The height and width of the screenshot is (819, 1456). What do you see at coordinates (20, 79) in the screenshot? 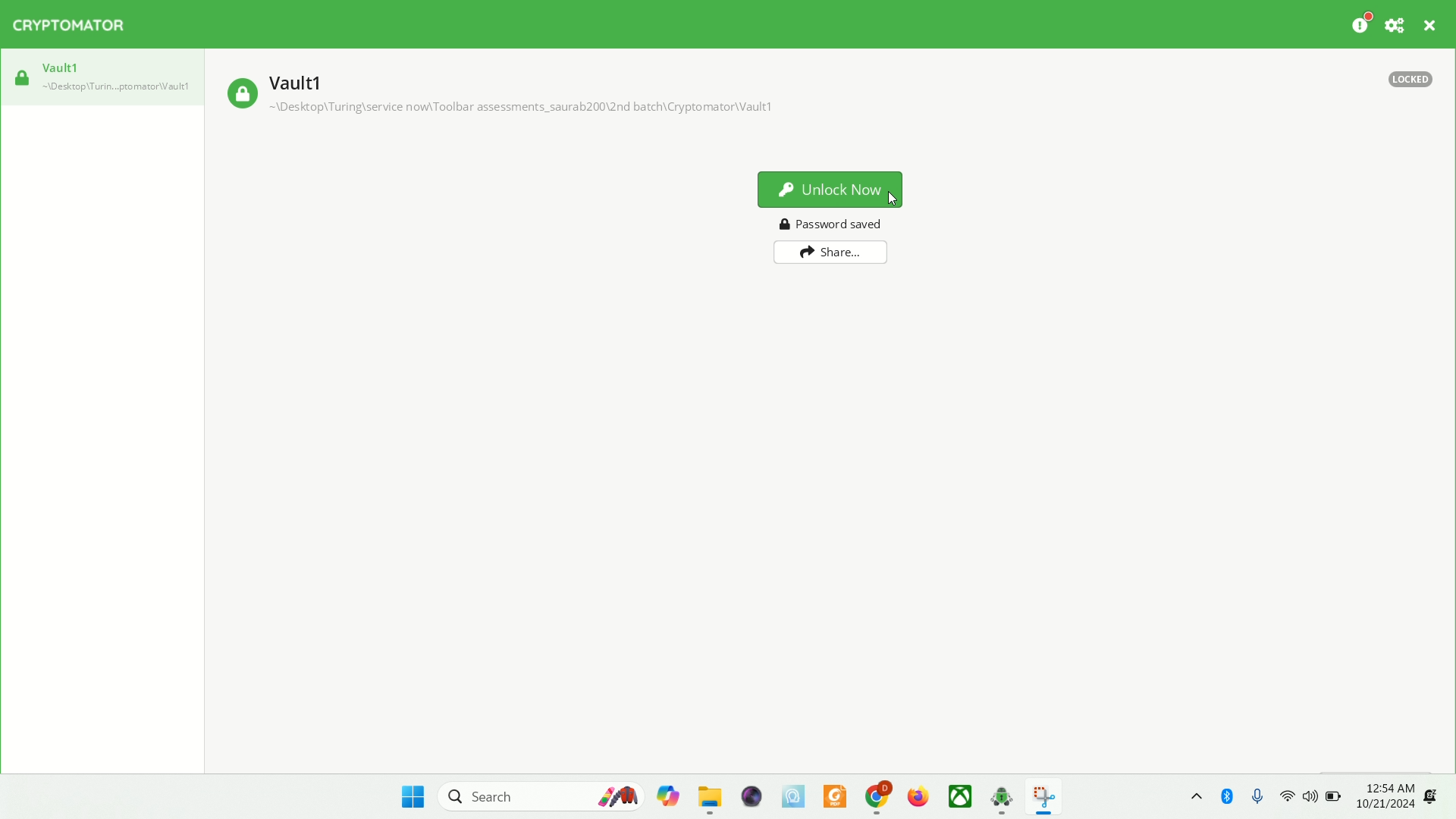
I see `locked` at bounding box center [20, 79].